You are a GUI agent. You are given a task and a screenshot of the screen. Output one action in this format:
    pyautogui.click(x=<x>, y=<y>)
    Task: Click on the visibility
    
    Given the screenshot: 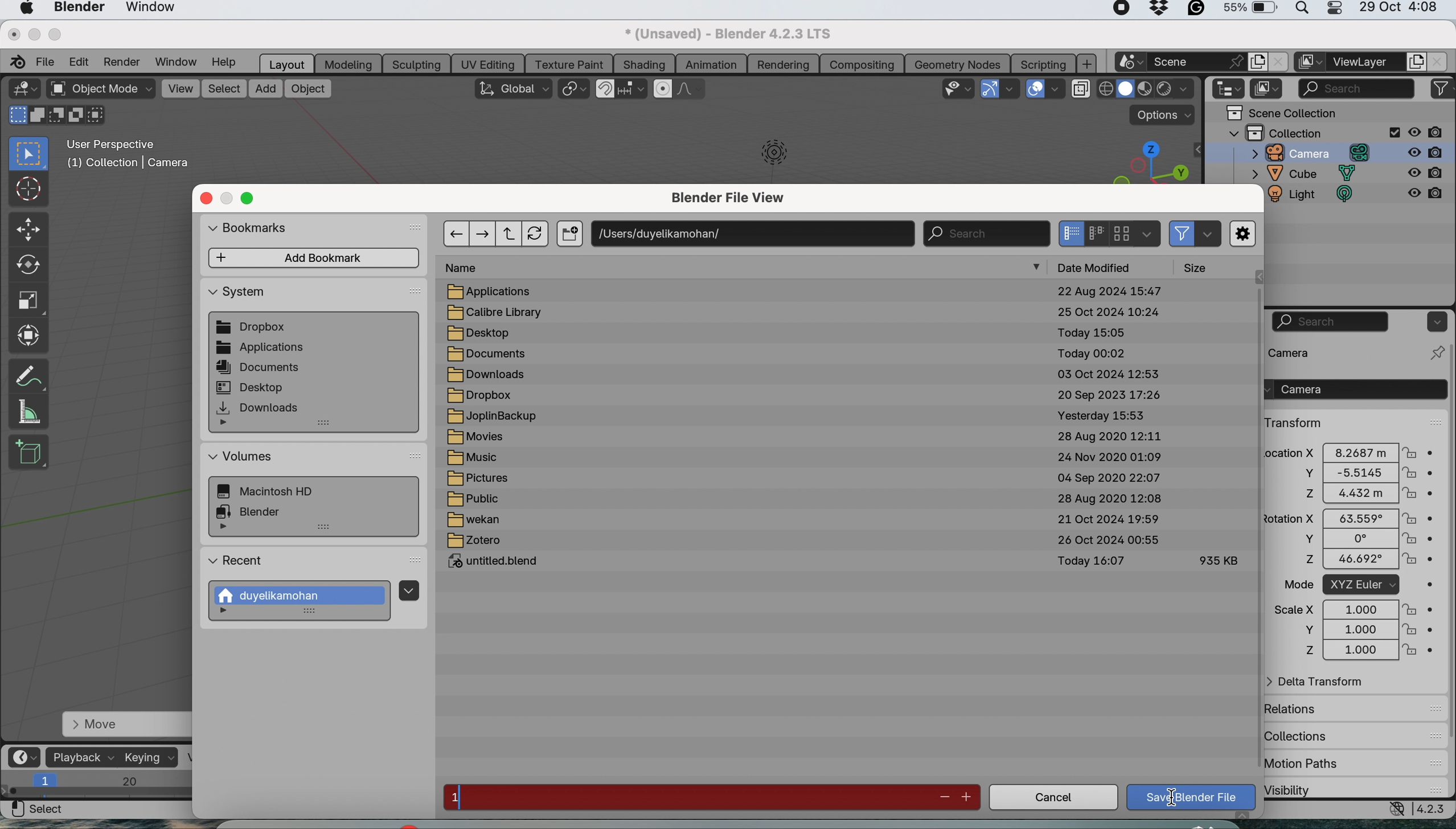 What is the action you would take?
    pyautogui.click(x=1319, y=789)
    